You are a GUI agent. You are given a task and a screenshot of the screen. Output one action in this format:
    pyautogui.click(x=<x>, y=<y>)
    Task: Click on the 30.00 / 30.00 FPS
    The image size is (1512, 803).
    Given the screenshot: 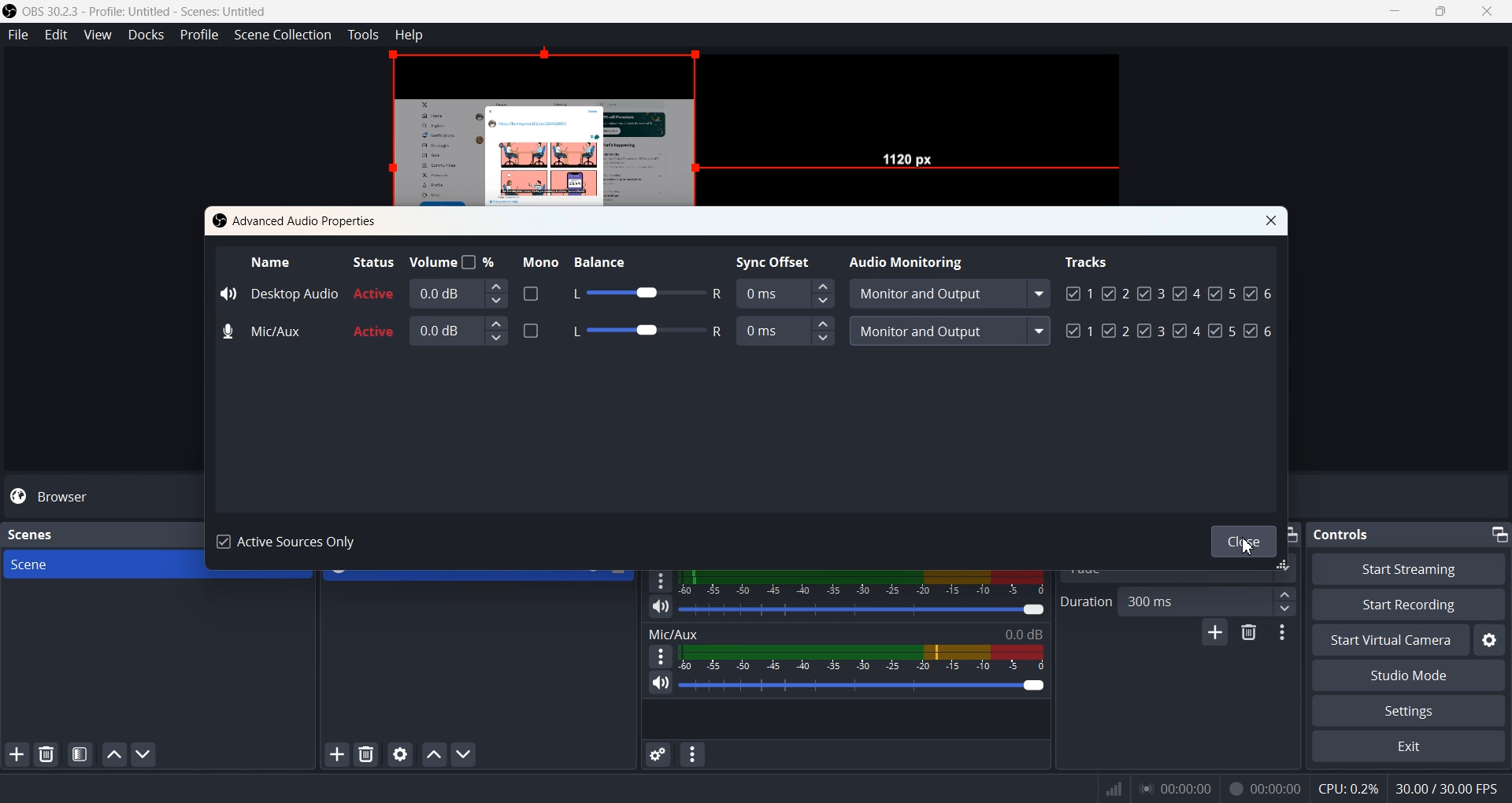 What is the action you would take?
    pyautogui.click(x=1451, y=789)
    